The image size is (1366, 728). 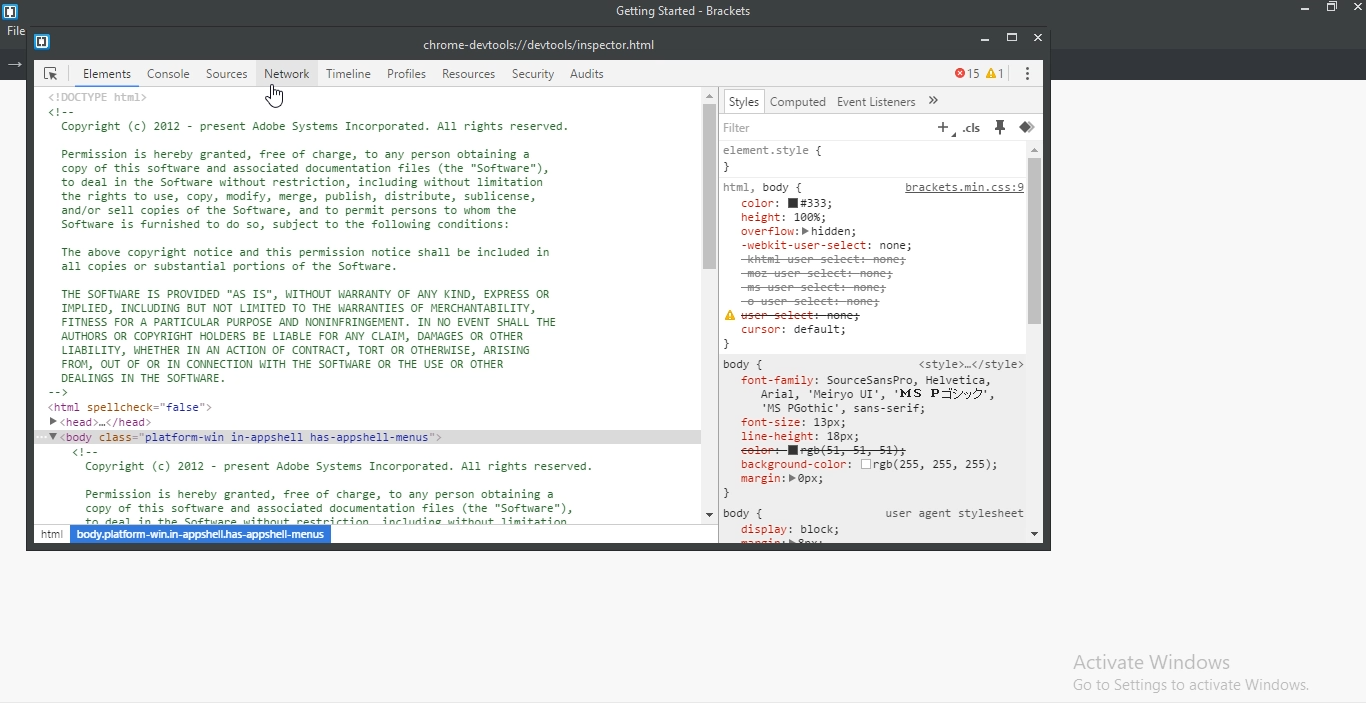 I want to click on html hyperlink name, so click(x=184, y=535).